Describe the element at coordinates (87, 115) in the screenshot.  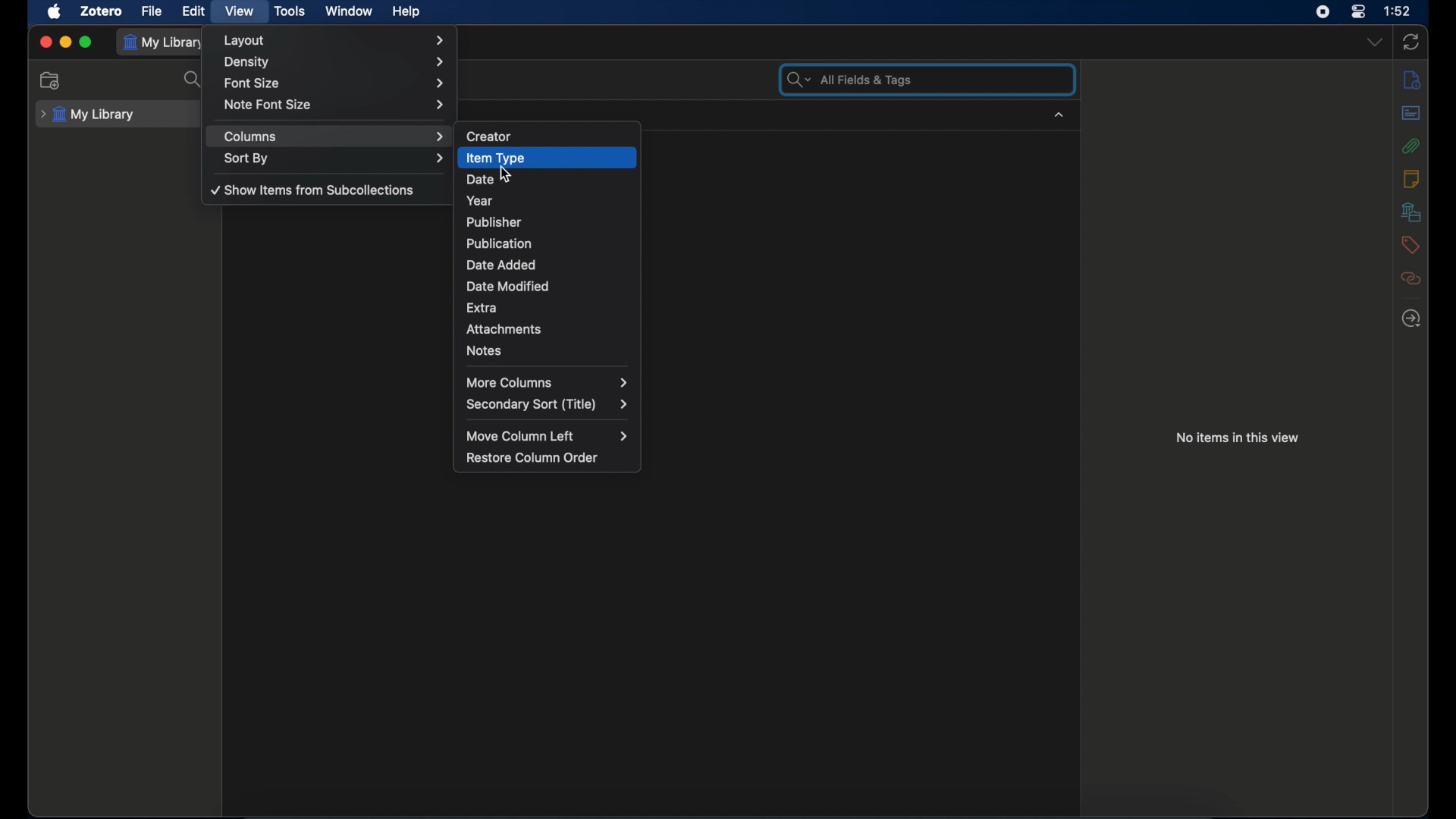
I see `my library` at that location.